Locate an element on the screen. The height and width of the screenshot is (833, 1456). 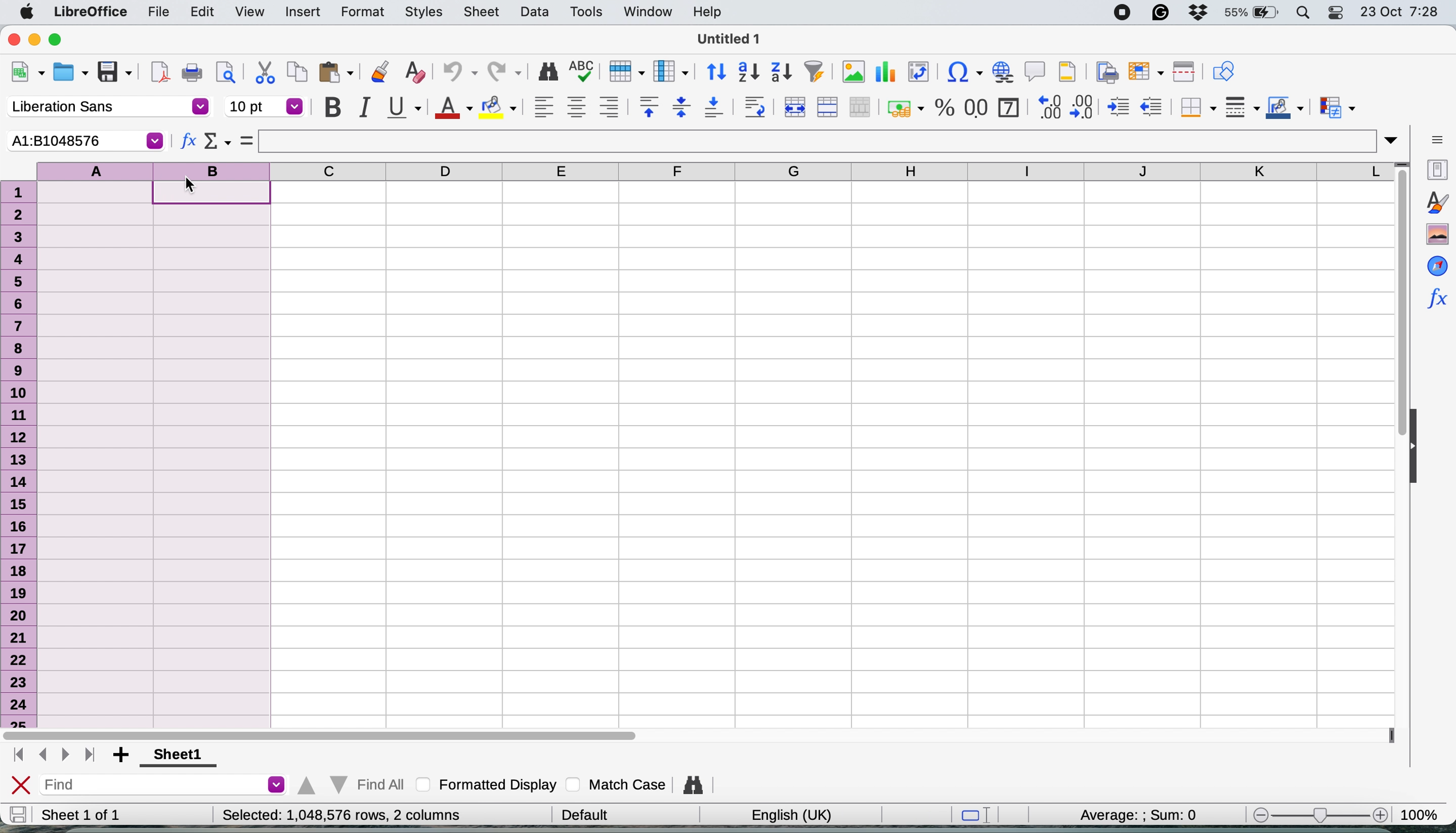
edit is located at coordinates (202, 13).